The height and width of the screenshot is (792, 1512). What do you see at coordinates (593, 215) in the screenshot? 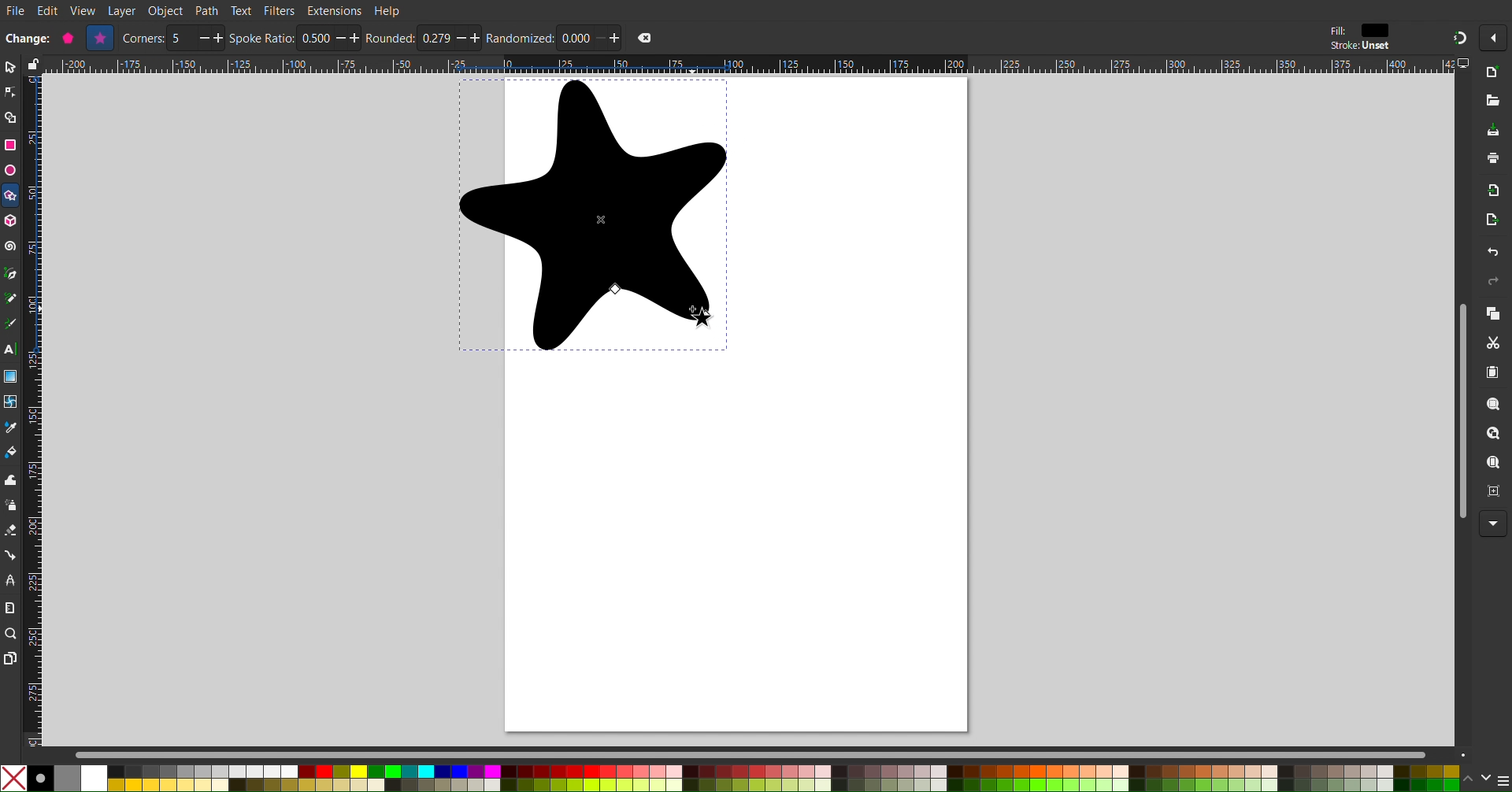
I see `Star ` at bounding box center [593, 215].